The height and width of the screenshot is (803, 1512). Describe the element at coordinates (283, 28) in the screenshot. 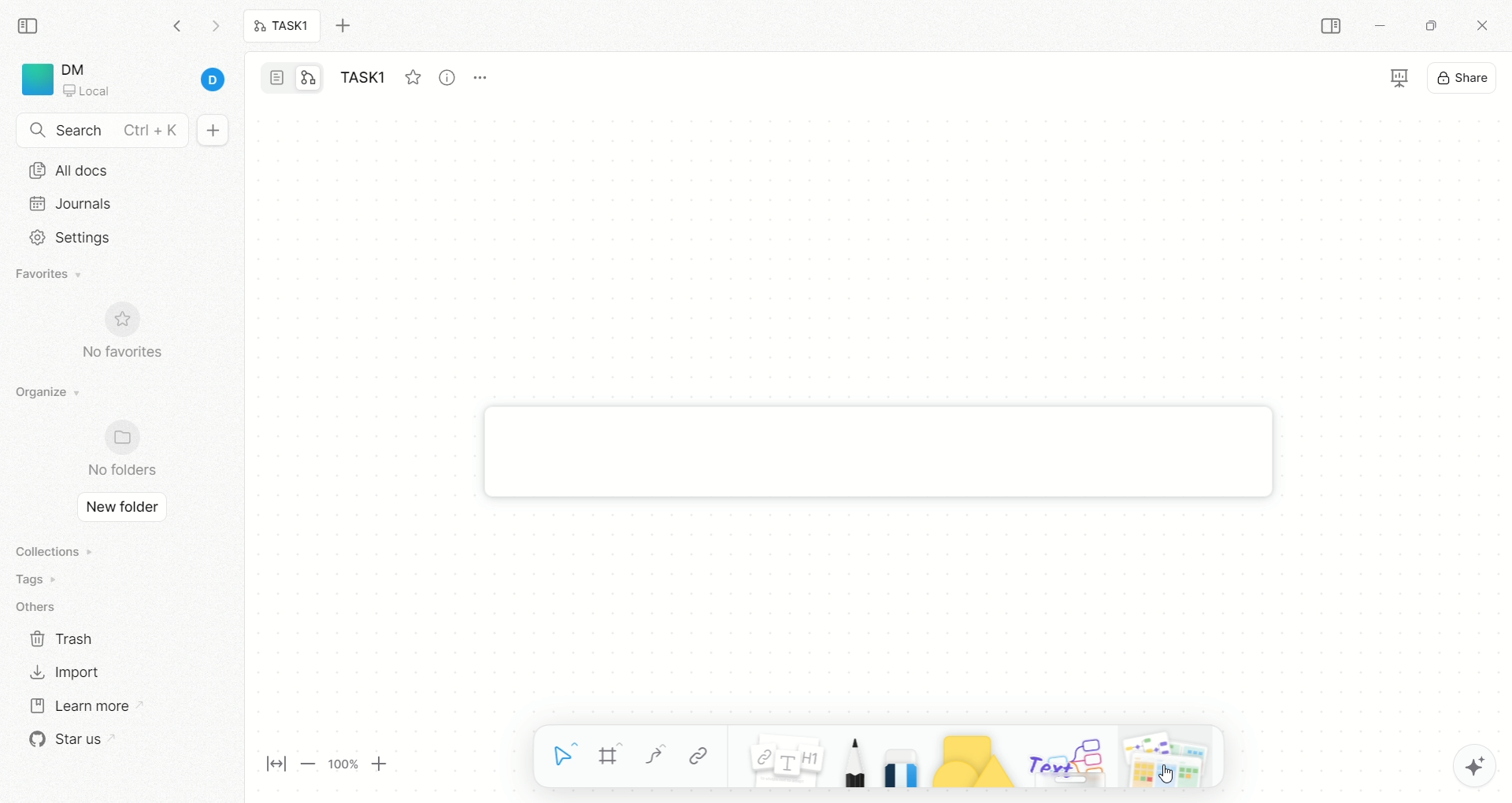

I see `task1` at that location.